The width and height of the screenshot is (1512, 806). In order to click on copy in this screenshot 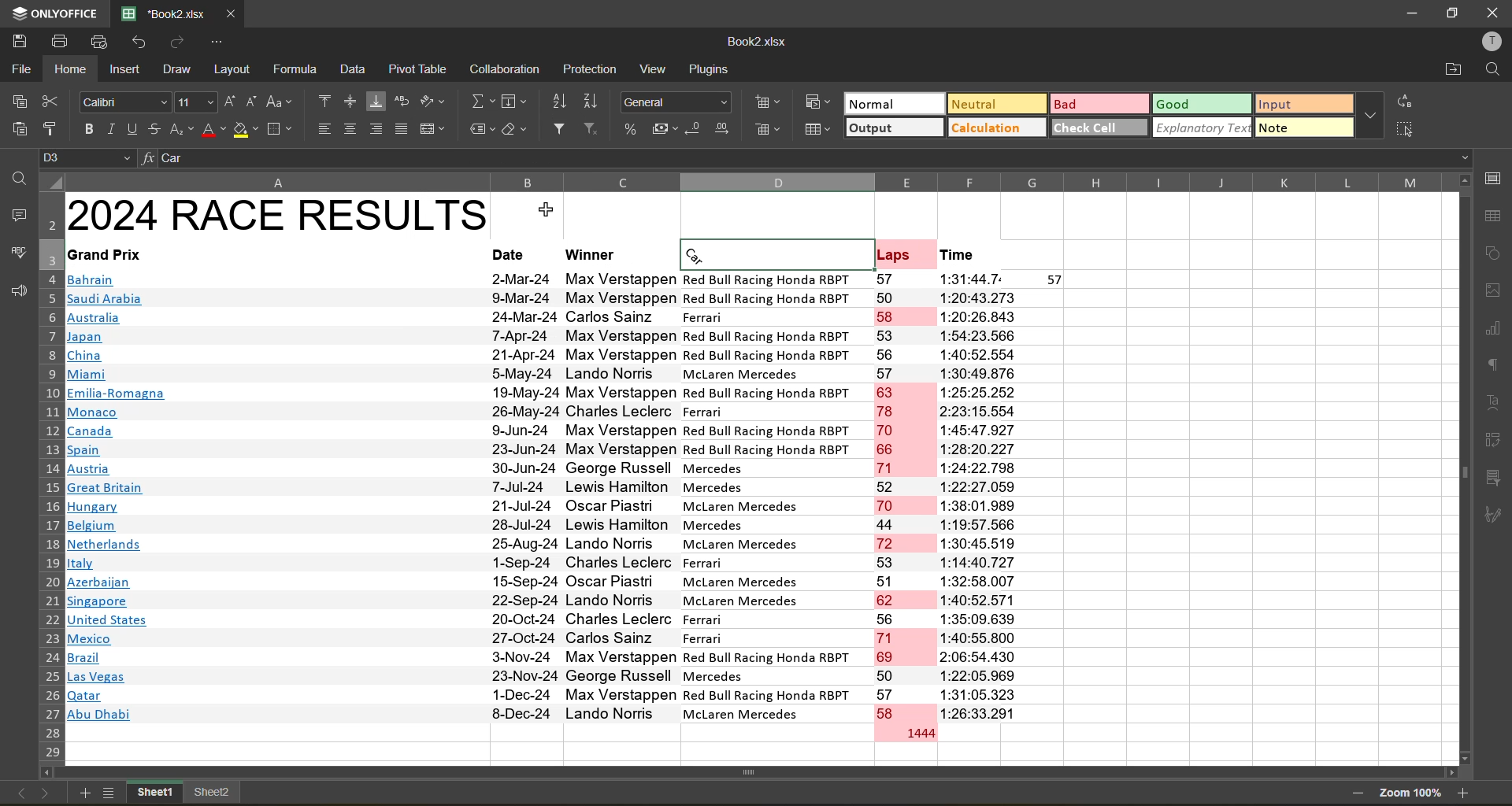, I will do `click(18, 98)`.